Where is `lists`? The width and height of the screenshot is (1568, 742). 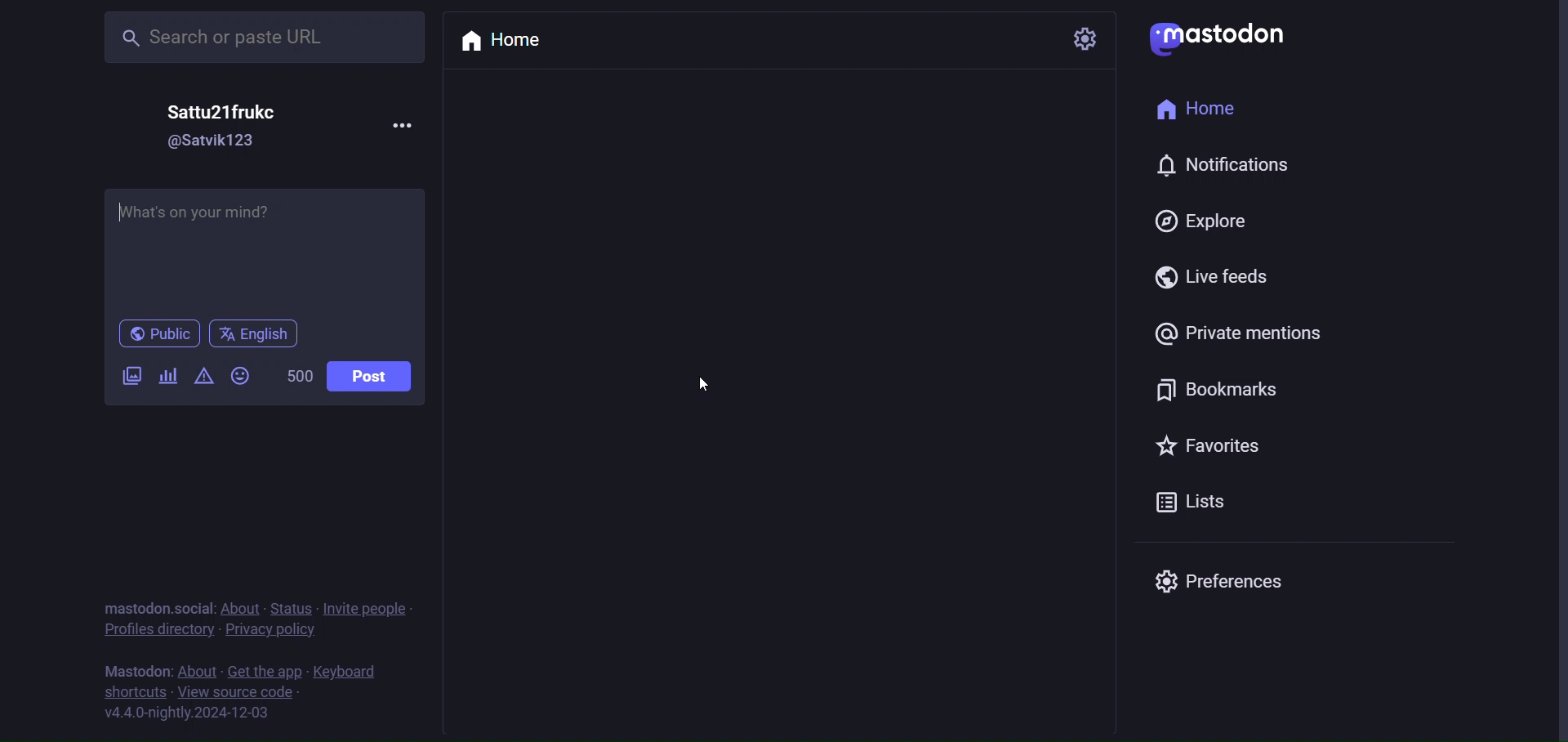 lists is located at coordinates (1192, 500).